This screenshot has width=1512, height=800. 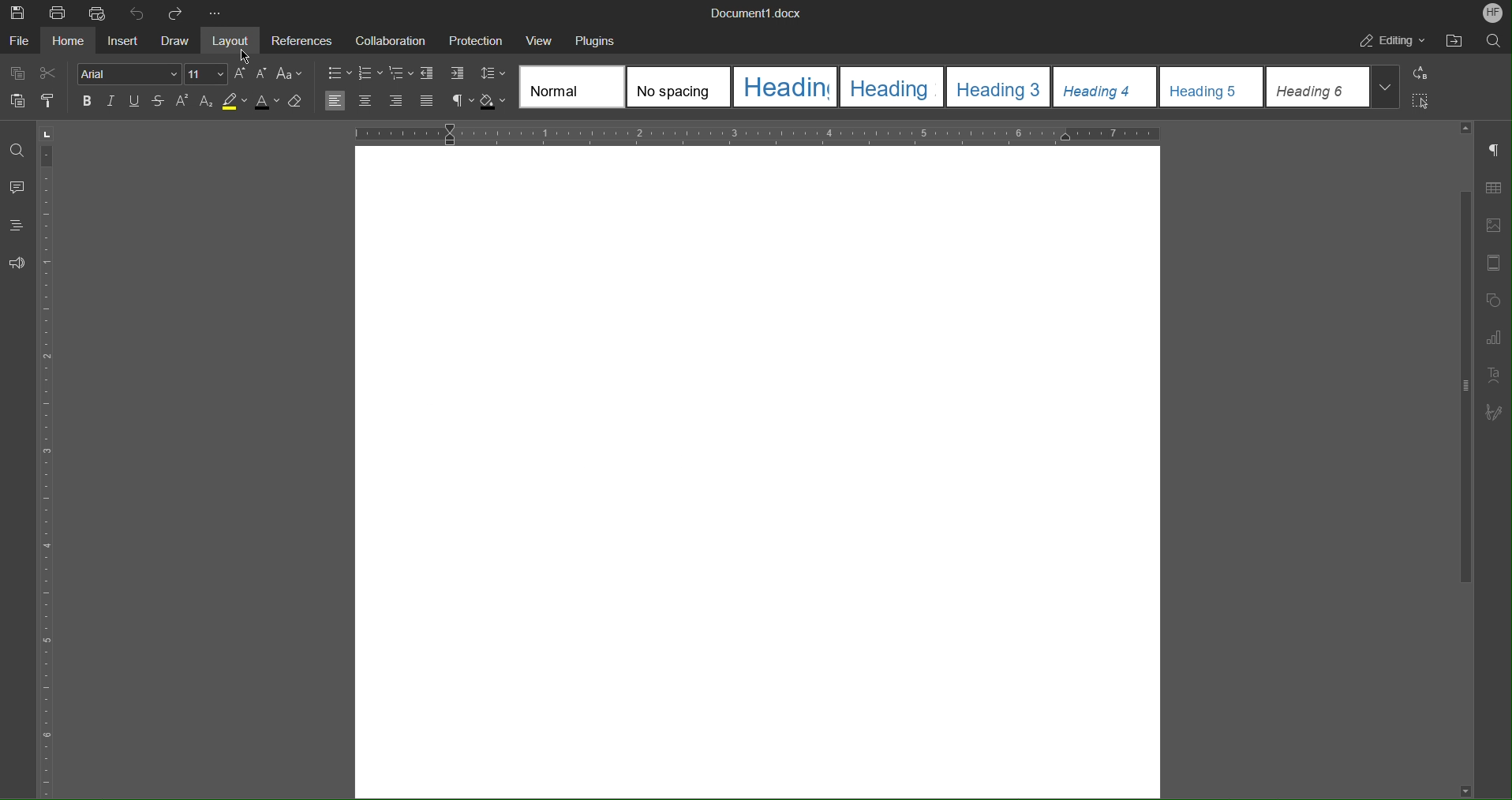 What do you see at coordinates (1492, 264) in the screenshot?
I see `Page Template` at bounding box center [1492, 264].